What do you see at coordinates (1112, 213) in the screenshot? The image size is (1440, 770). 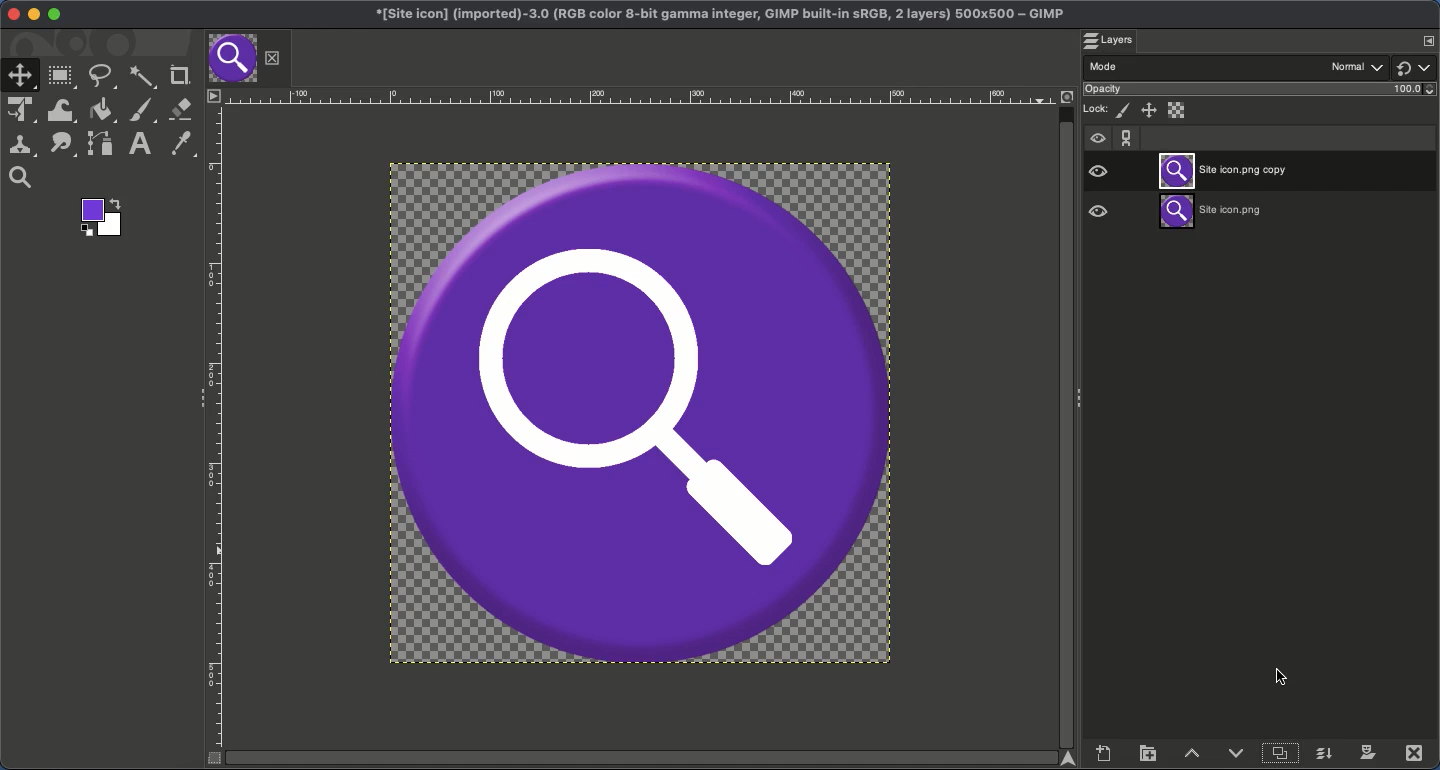 I see `view` at bounding box center [1112, 213].